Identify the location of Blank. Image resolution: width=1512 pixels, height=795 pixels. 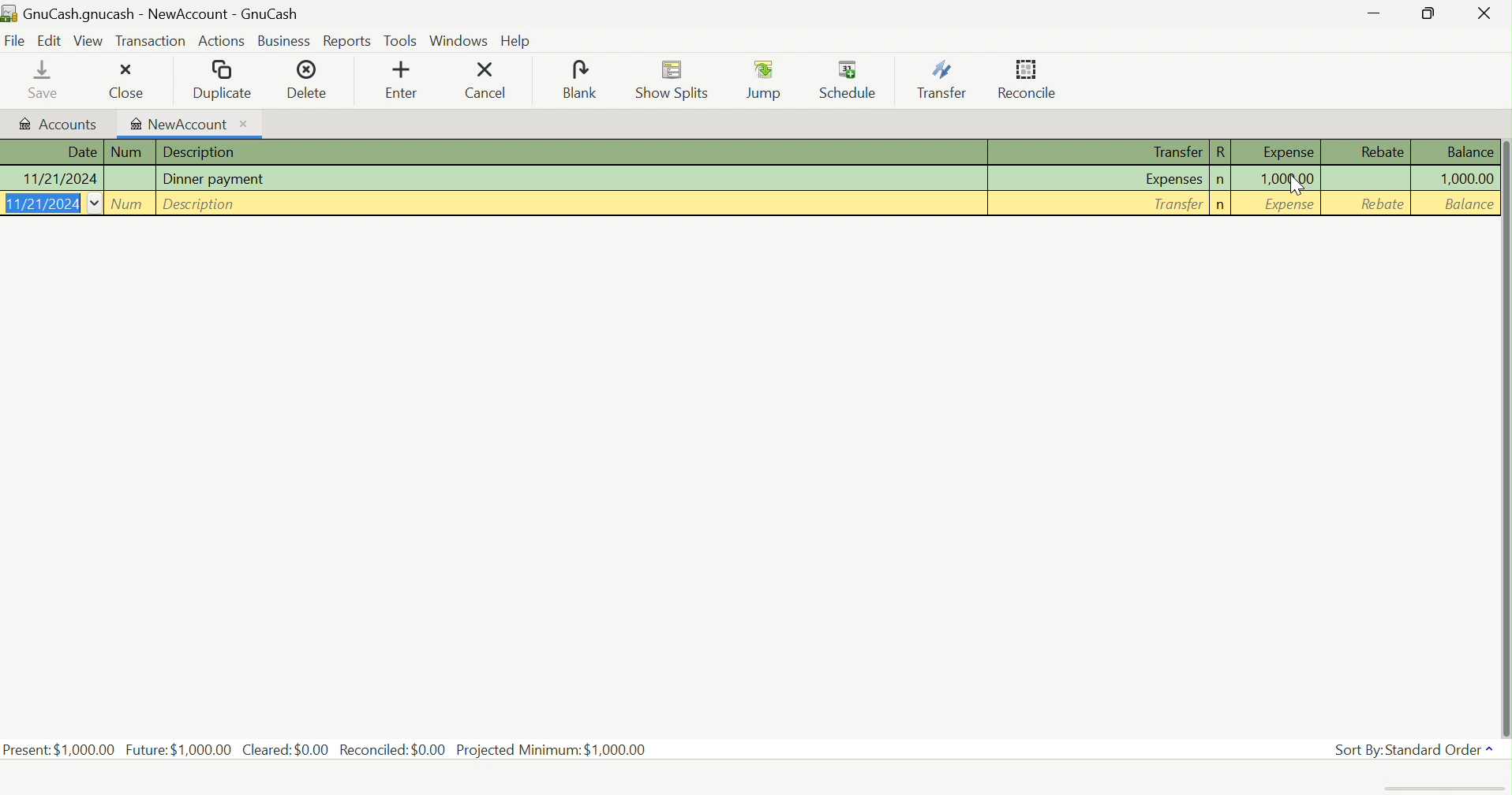
(580, 79).